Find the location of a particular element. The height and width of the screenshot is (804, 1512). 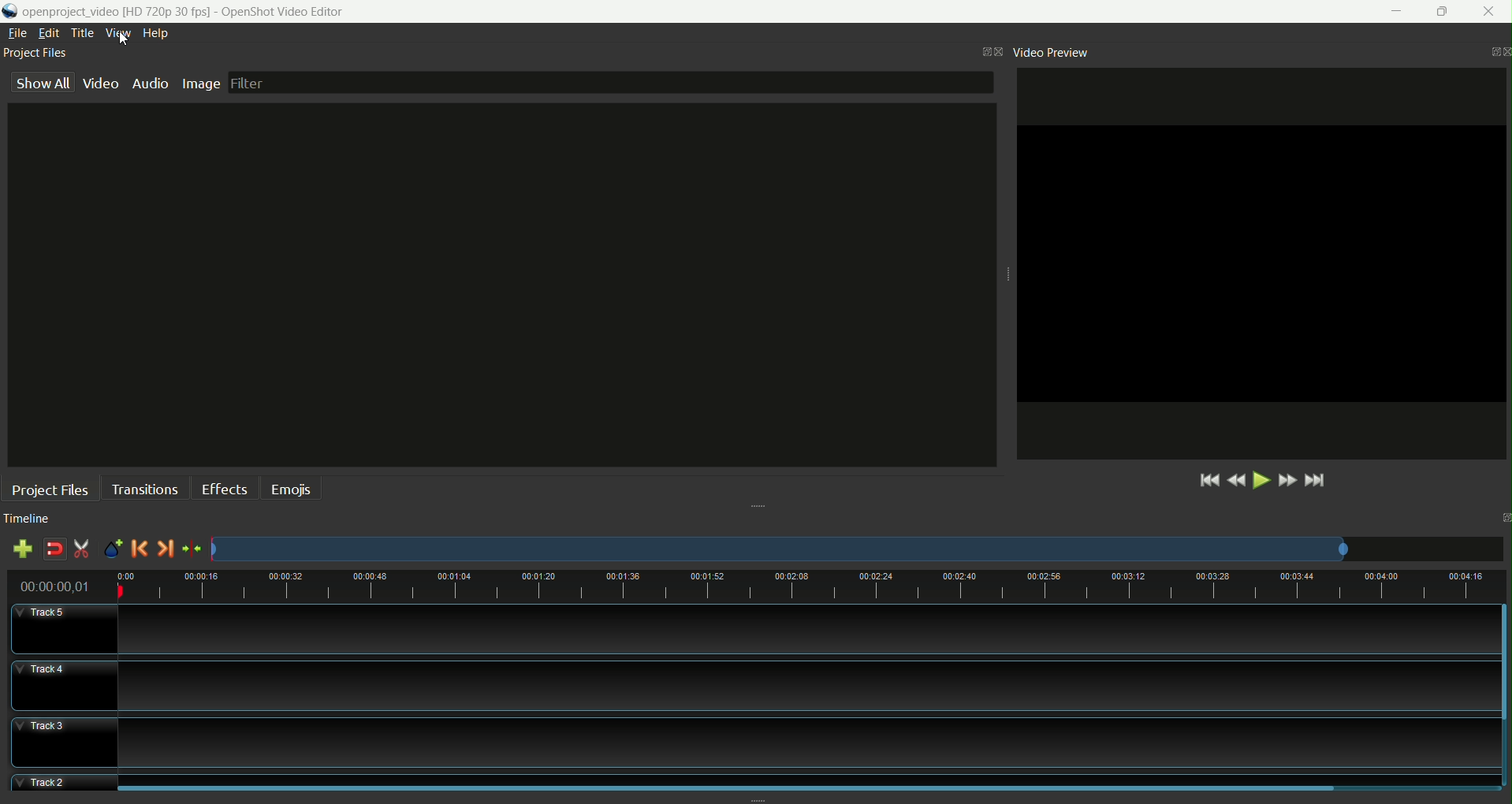

view is located at coordinates (121, 32).